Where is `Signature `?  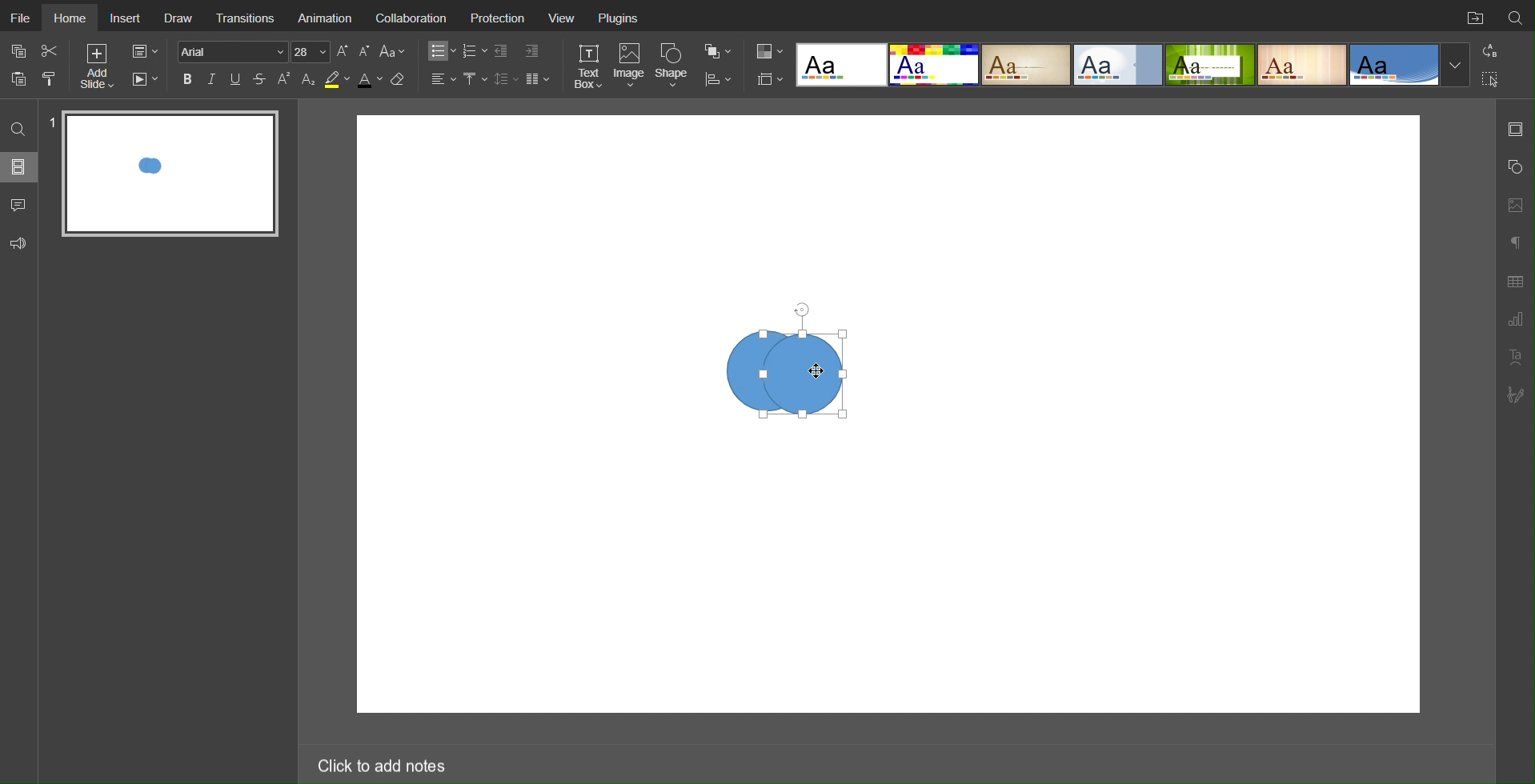 Signature  is located at coordinates (1517, 395).